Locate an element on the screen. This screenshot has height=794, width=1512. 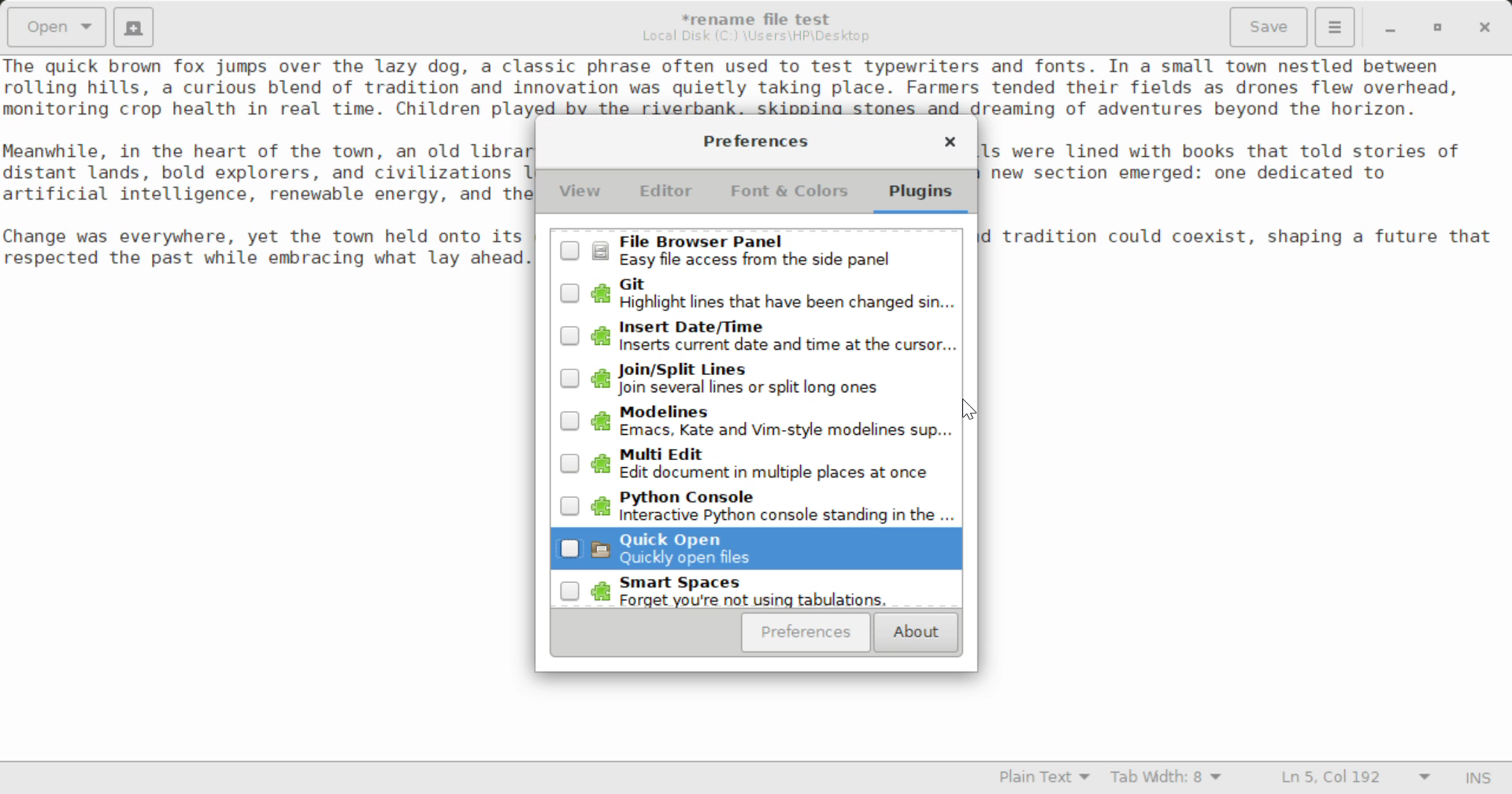
Minimize is located at coordinates (1438, 28).